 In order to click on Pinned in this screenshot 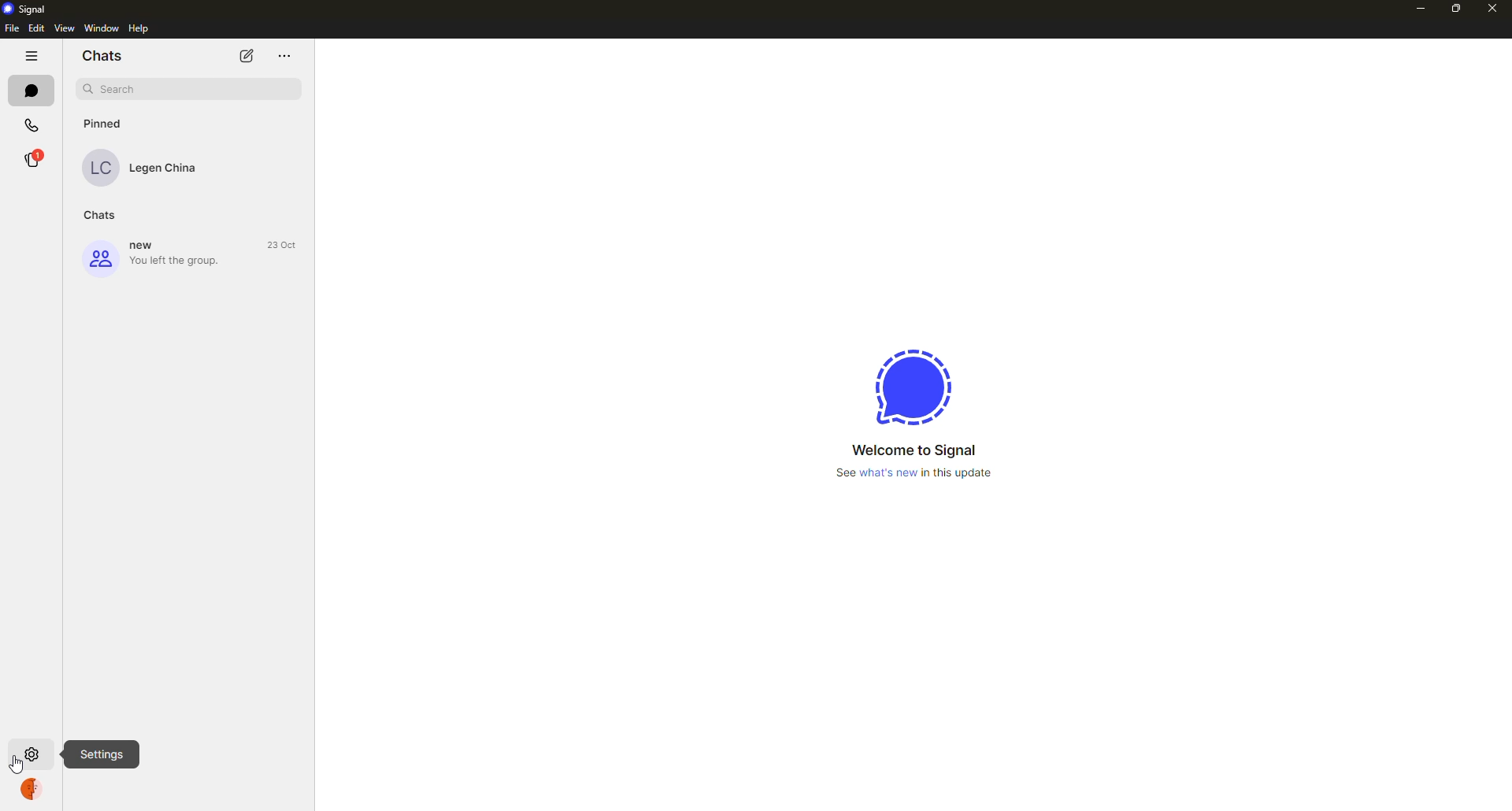, I will do `click(105, 124)`.